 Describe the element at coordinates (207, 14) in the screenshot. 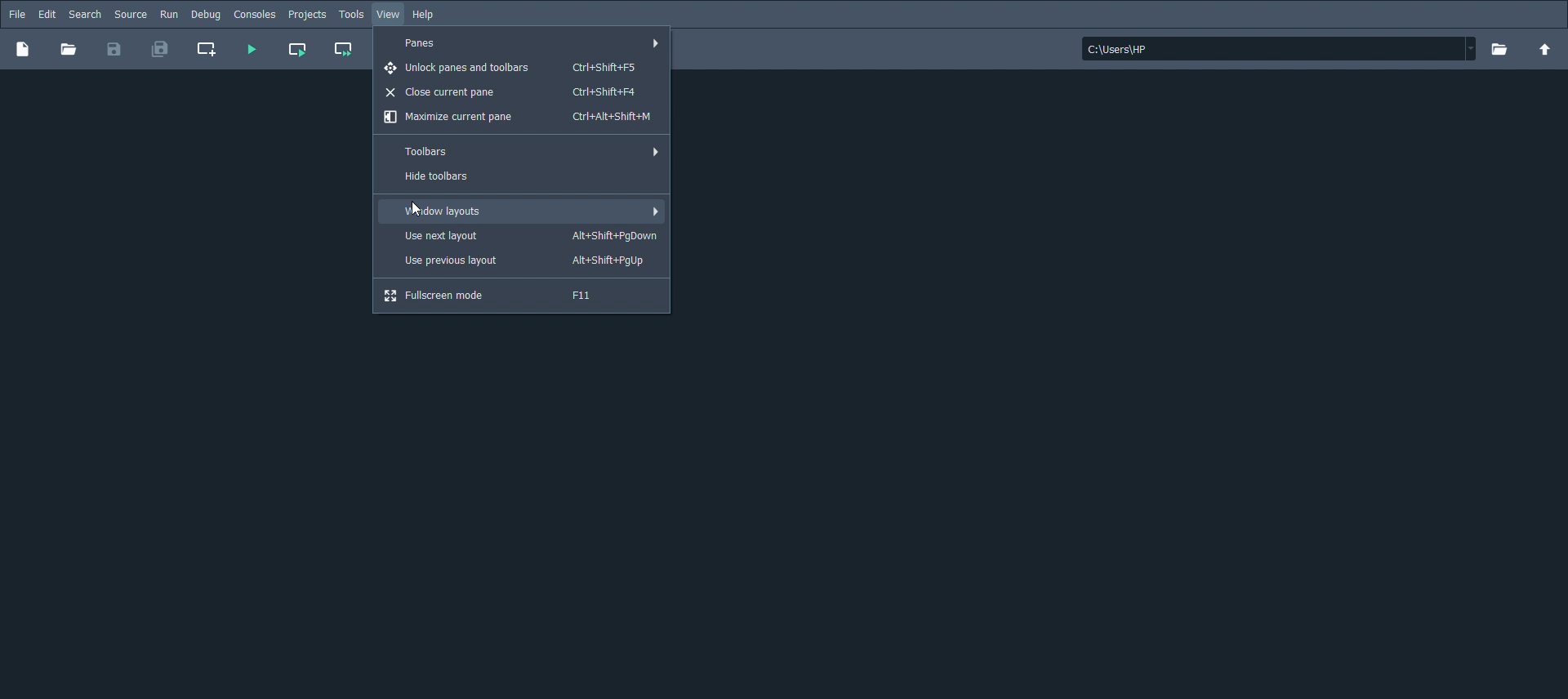

I see `Debug` at that location.